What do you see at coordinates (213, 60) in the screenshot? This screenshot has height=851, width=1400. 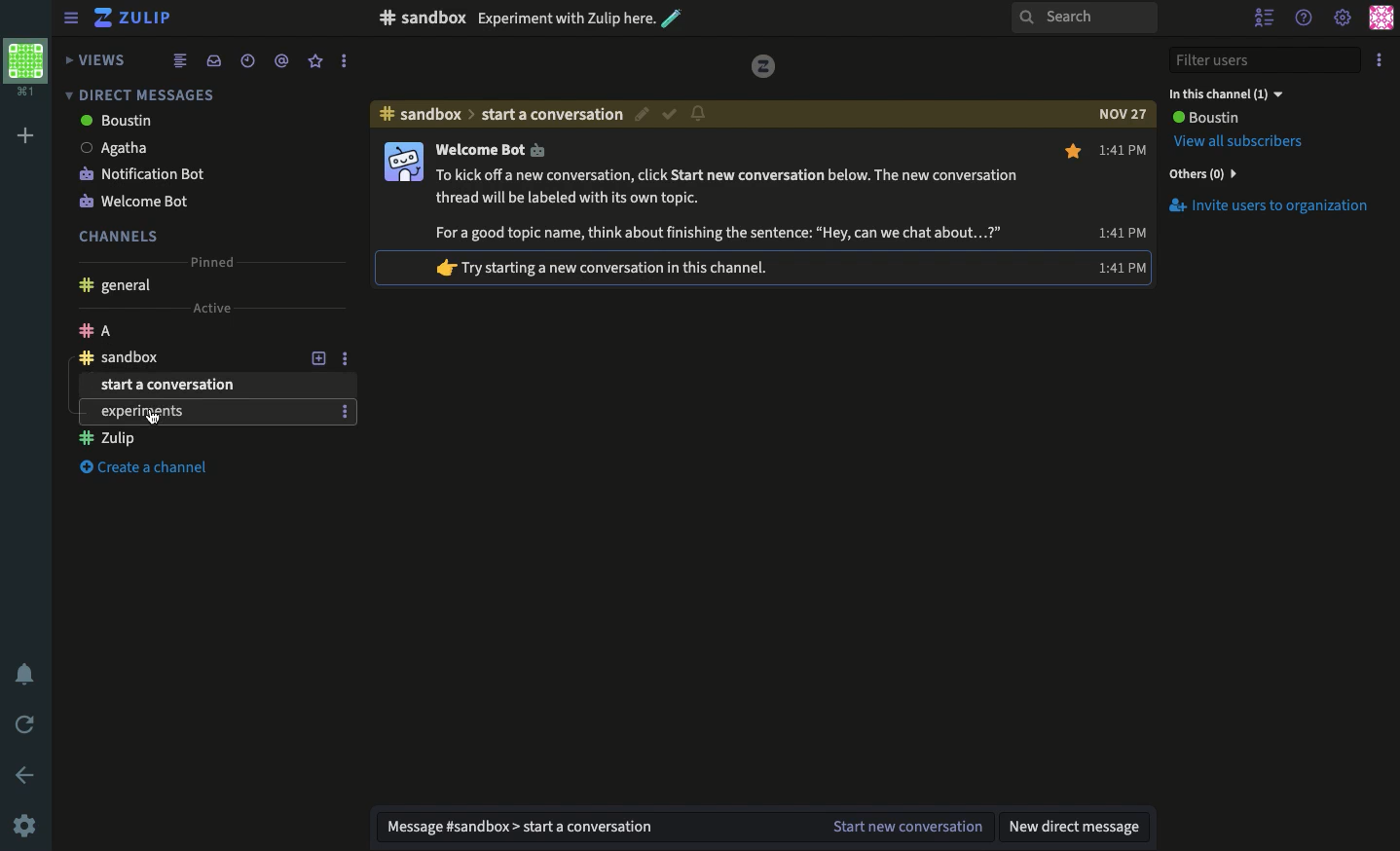 I see `Inbox` at bounding box center [213, 60].